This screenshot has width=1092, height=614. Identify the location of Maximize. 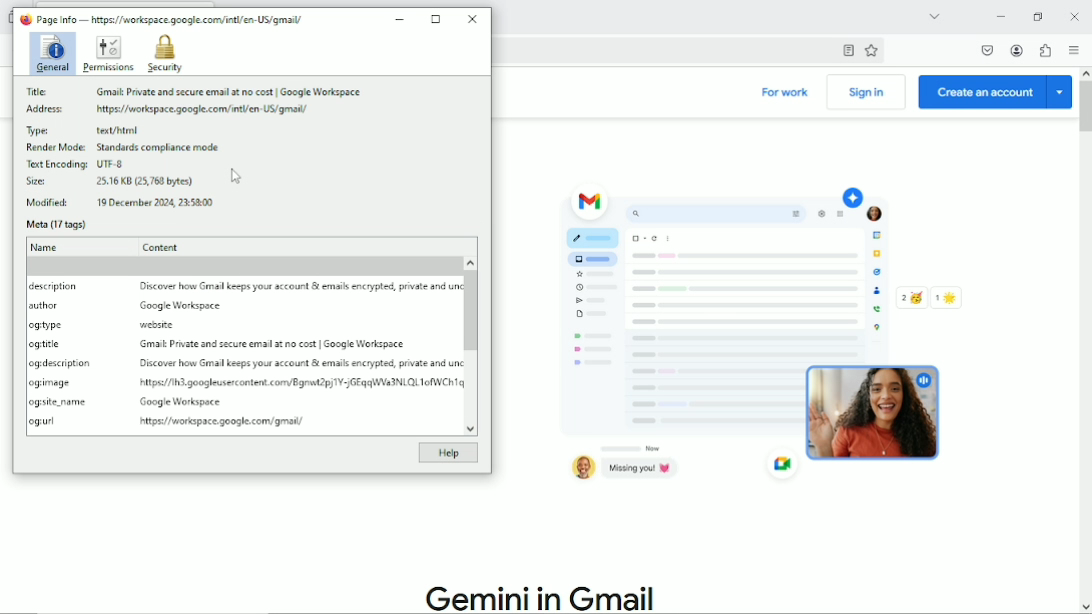
(436, 18).